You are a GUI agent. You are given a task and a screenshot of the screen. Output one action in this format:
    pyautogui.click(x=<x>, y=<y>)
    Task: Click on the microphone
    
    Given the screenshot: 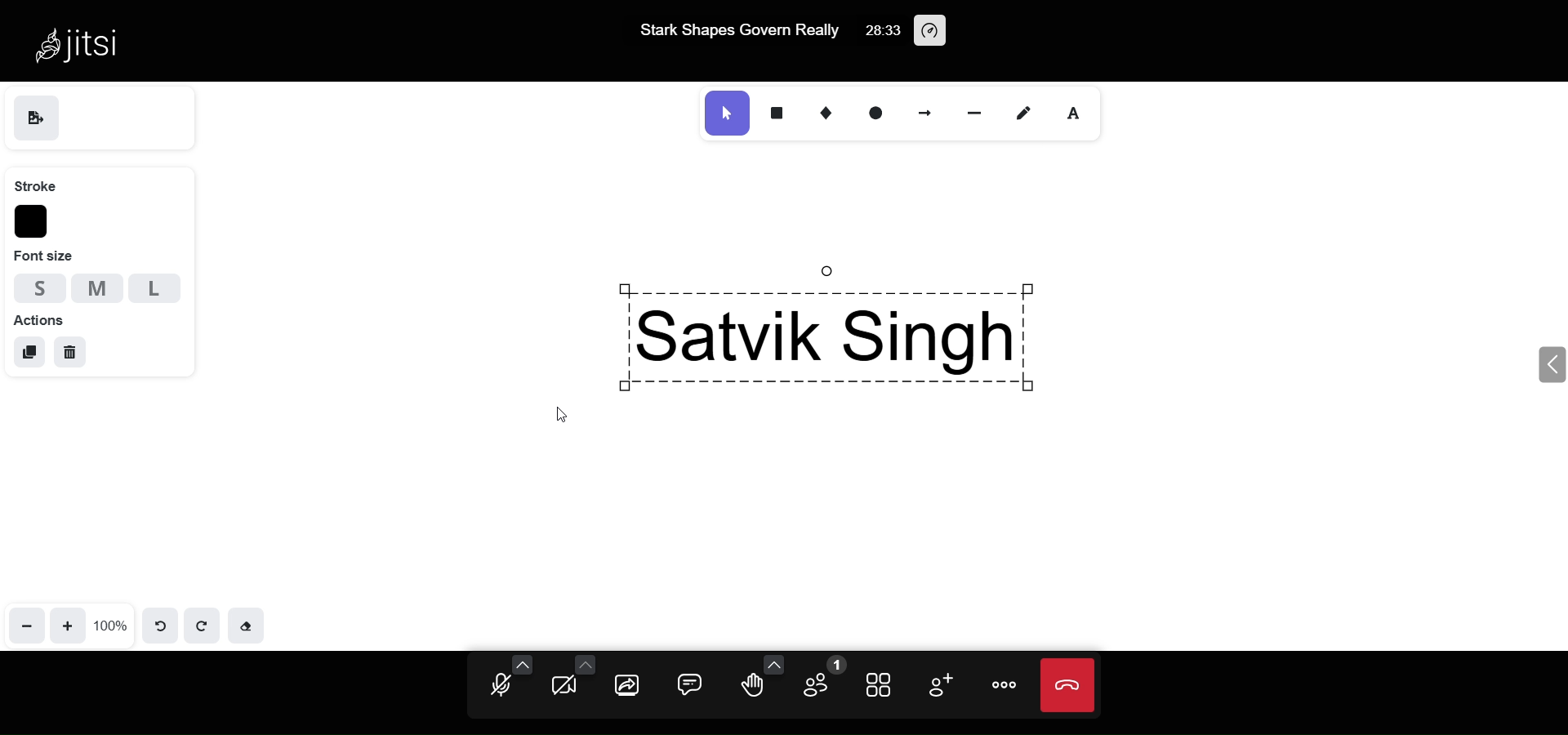 What is the action you would take?
    pyautogui.click(x=500, y=688)
    